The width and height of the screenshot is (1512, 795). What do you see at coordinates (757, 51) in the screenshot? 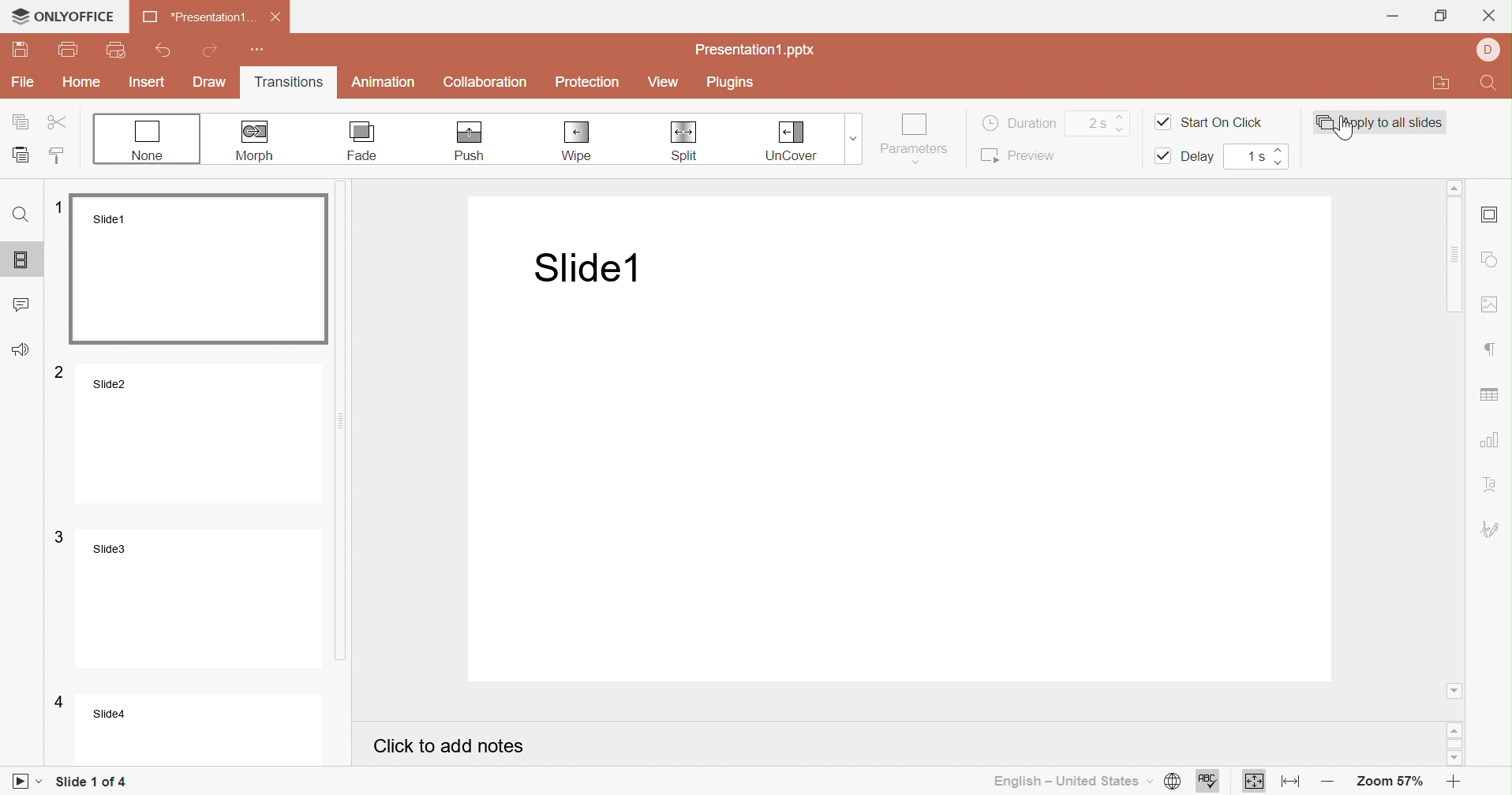
I see `Presentation1.pptx` at bounding box center [757, 51].